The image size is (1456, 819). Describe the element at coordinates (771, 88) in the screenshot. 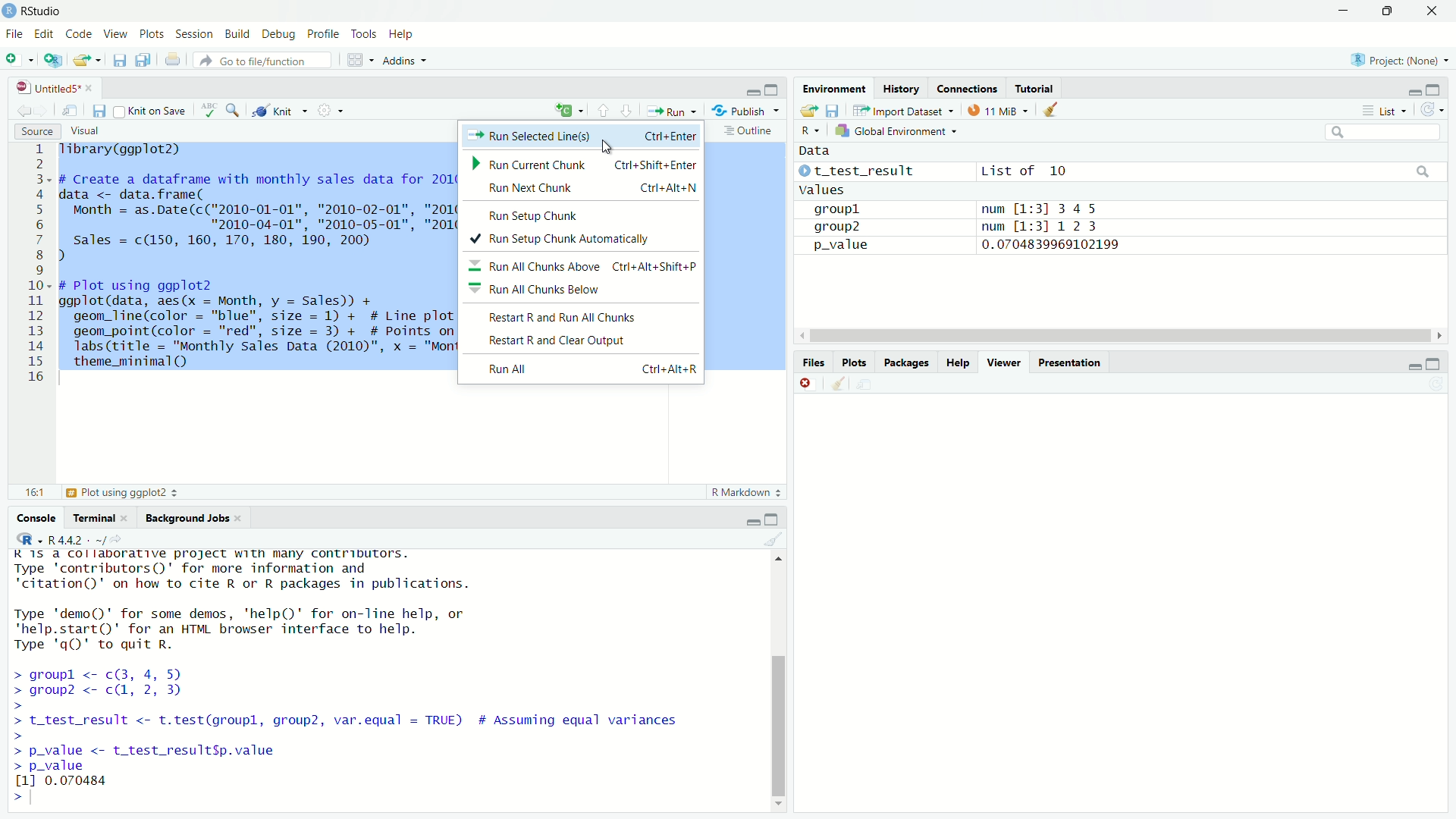

I see `maximise` at that location.